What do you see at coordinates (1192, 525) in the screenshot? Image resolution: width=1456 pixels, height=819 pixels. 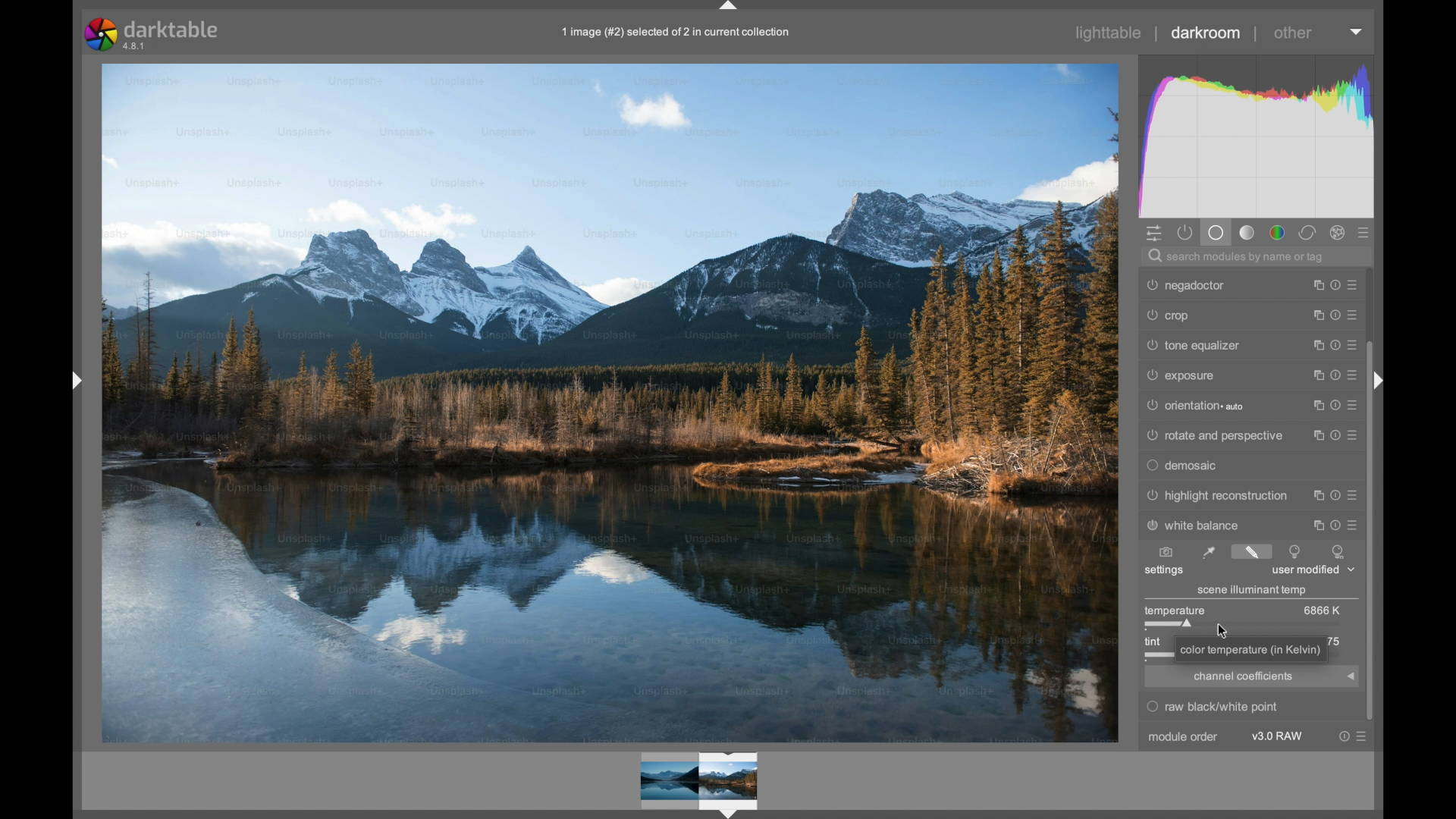 I see `white balance` at bounding box center [1192, 525].